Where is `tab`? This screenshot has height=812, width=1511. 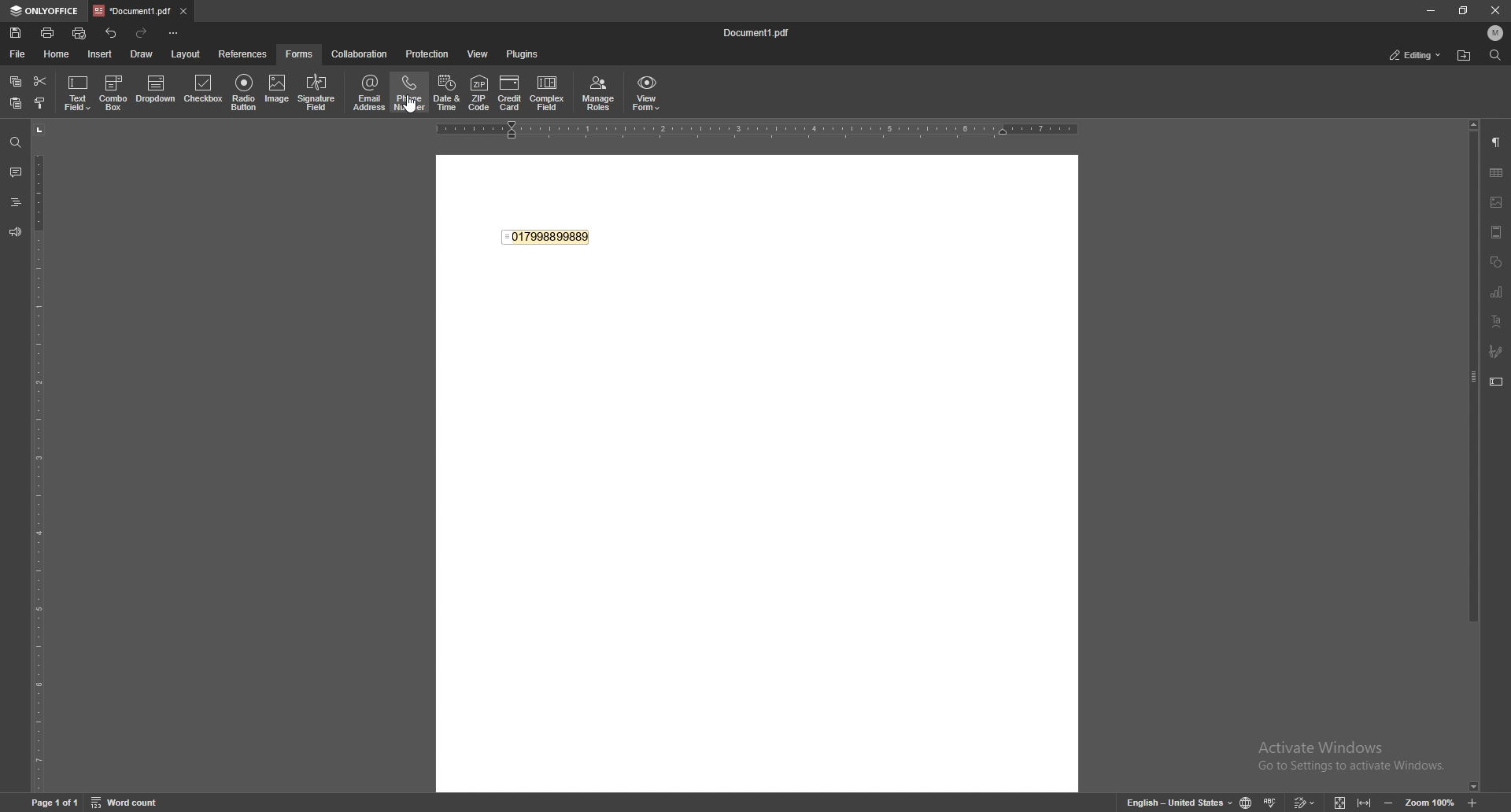 tab is located at coordinates (132, 11).